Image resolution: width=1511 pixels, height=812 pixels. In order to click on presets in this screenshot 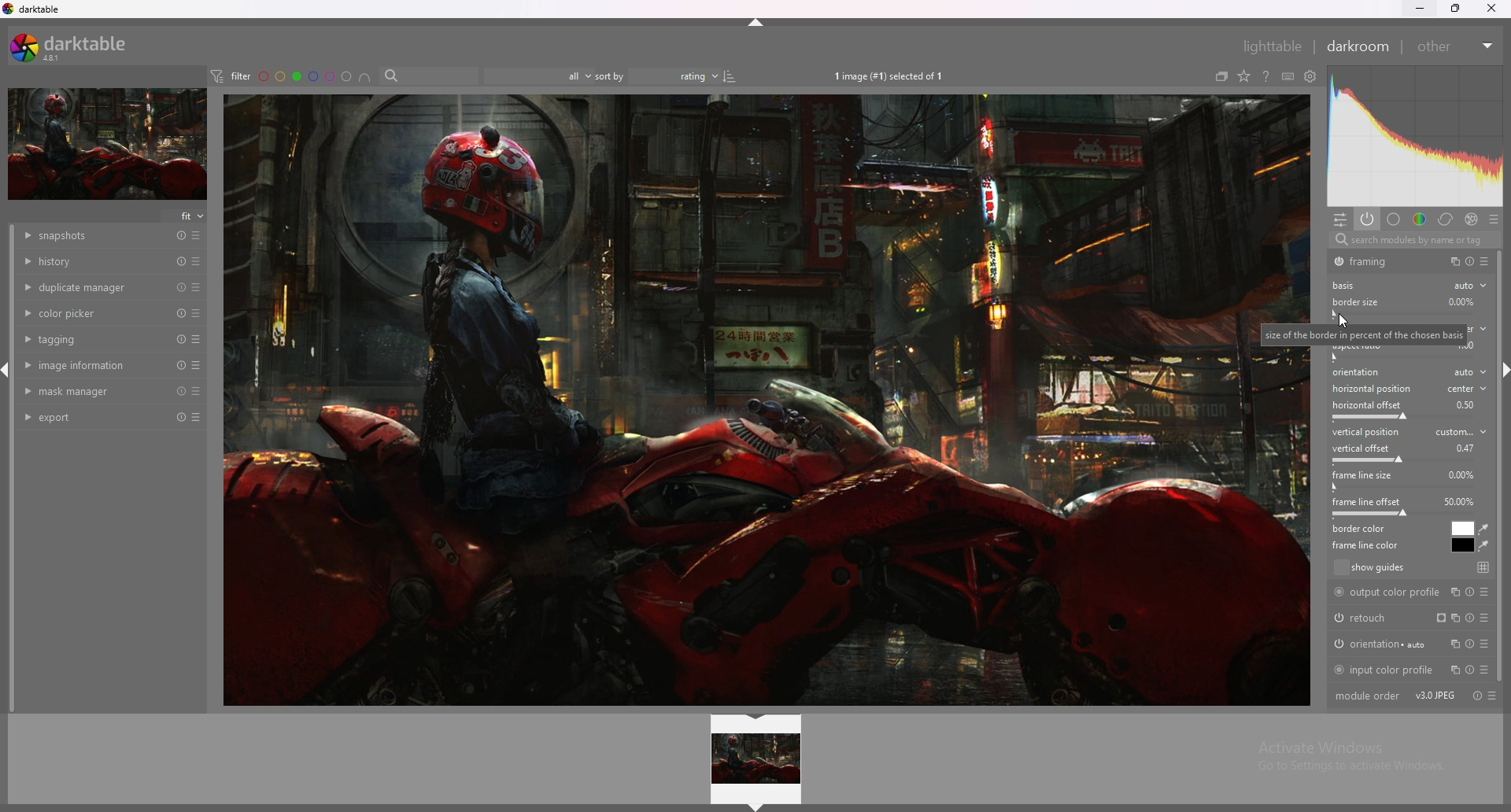, I will do `click(197, 390)`.